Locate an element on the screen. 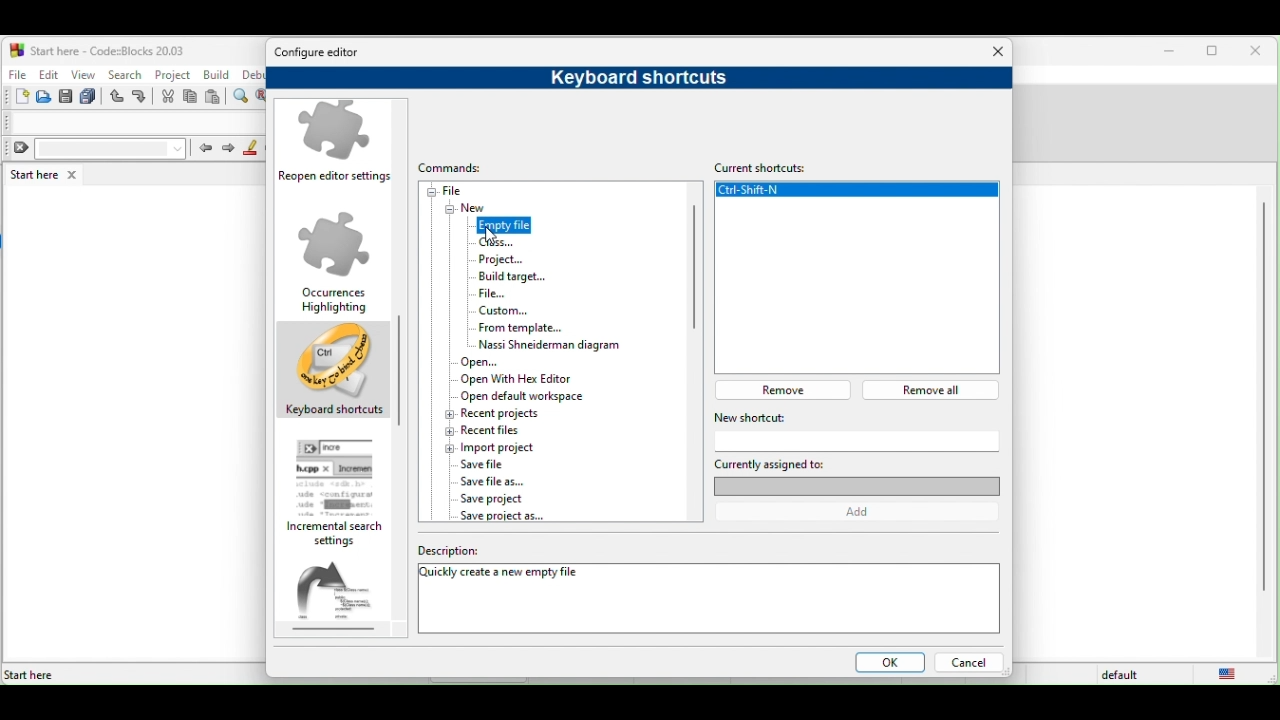  Ctrl+Shift+N is located at coordinates (856, 193).